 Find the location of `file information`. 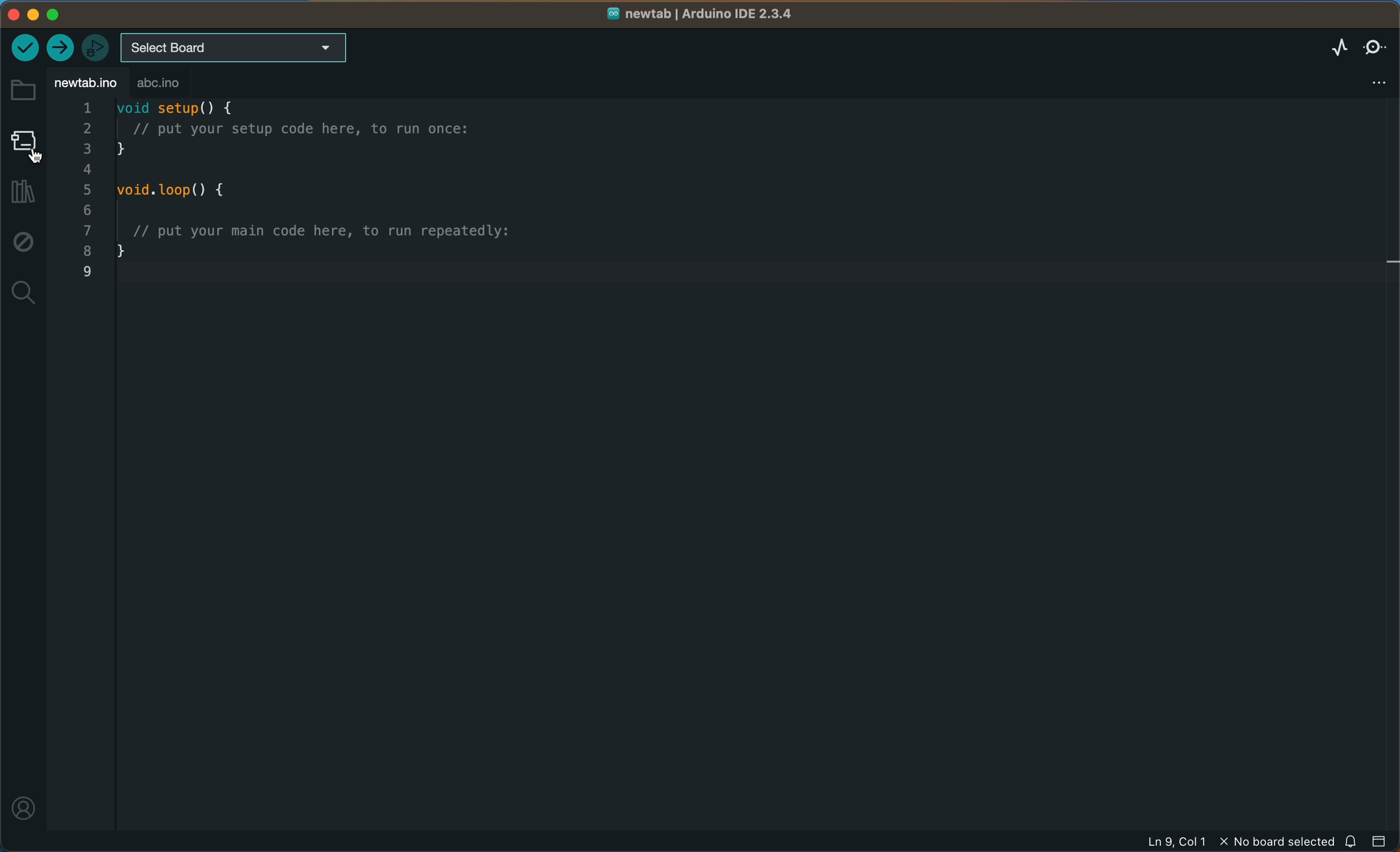

file information is located at coordinates (1207, 842).